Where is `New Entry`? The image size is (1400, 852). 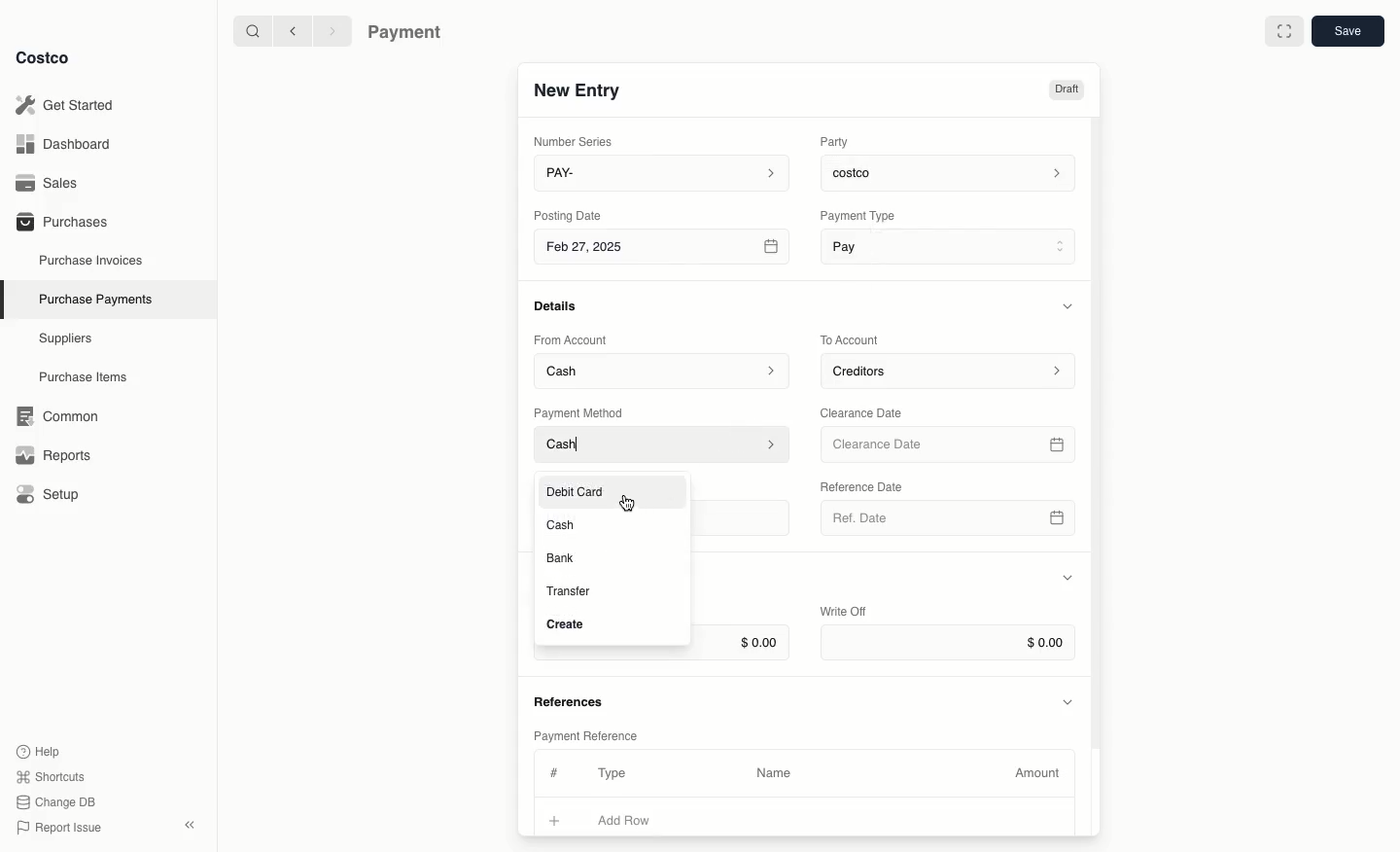
New Entry is located at coordinates (578, 89).